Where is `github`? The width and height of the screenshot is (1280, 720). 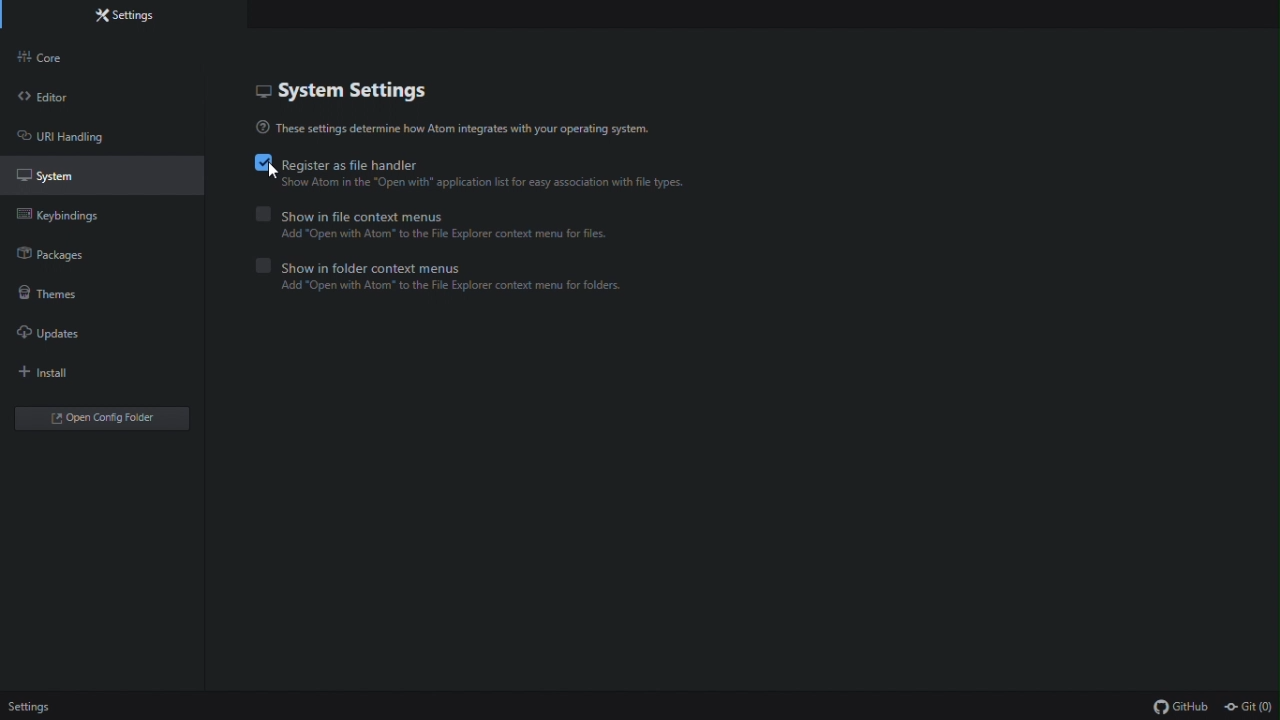
github is located at coordinates (1183, 706).